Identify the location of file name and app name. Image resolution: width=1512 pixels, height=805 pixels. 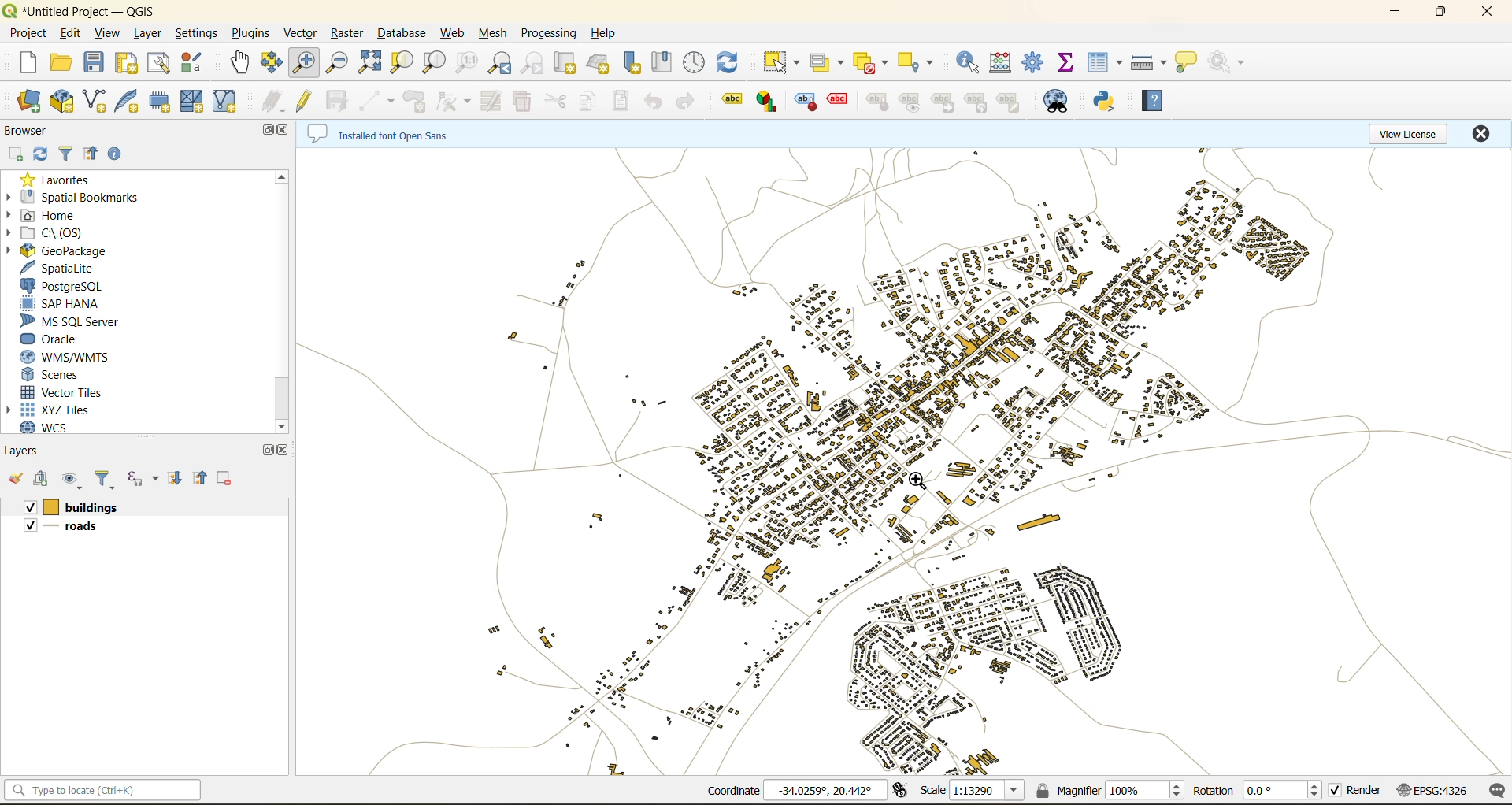
(84, 9).